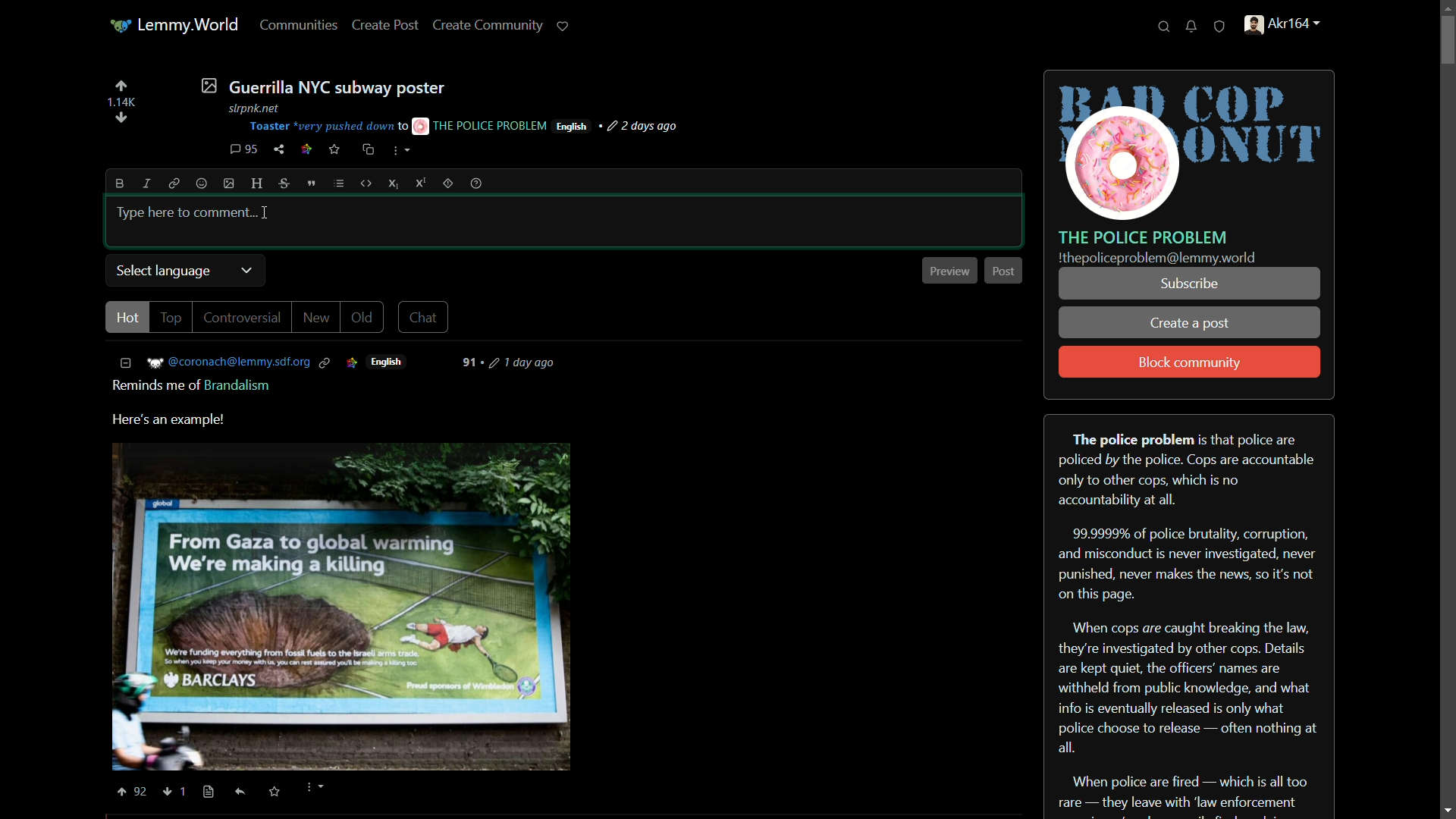  What do you see at coordinates (300, 24) in the screenshot?
I see `communities ` at bounding box center [300, 24].